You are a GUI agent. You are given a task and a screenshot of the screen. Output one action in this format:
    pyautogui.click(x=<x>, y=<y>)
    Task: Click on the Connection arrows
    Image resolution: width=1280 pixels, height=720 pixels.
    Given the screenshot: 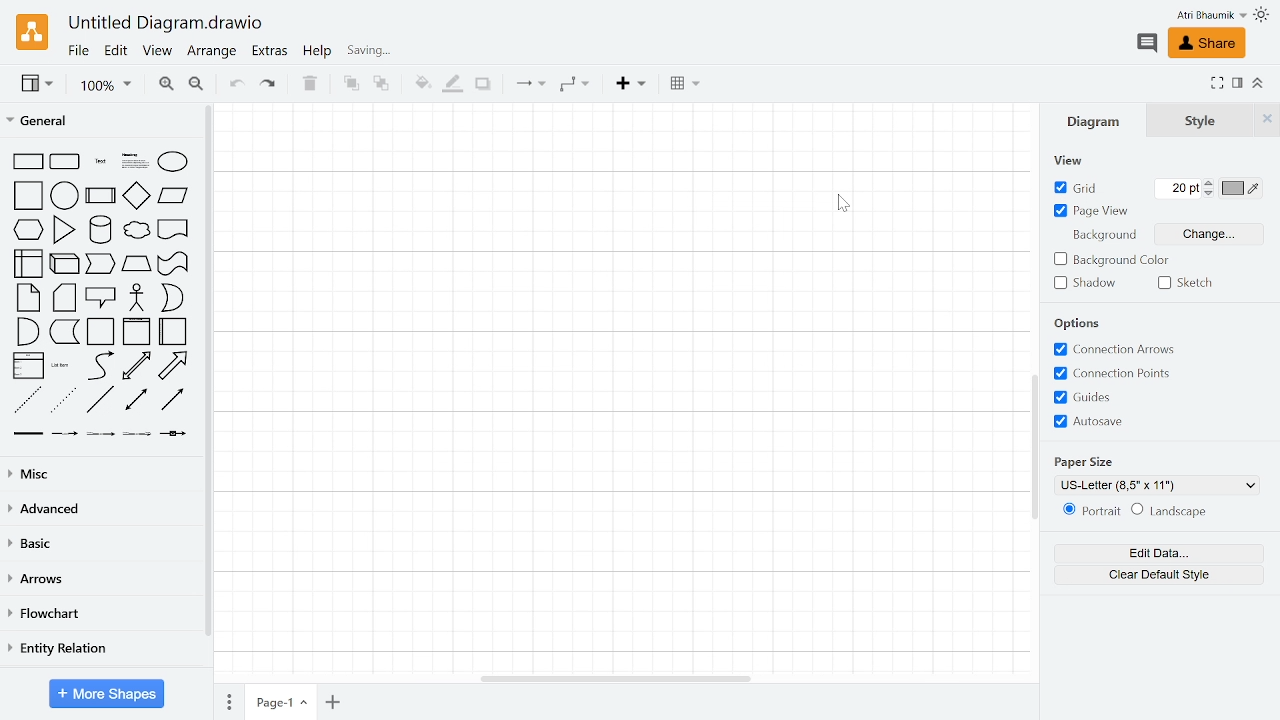 What is the action you would take?
    pyautogui.click(x=1116, y=351)
    